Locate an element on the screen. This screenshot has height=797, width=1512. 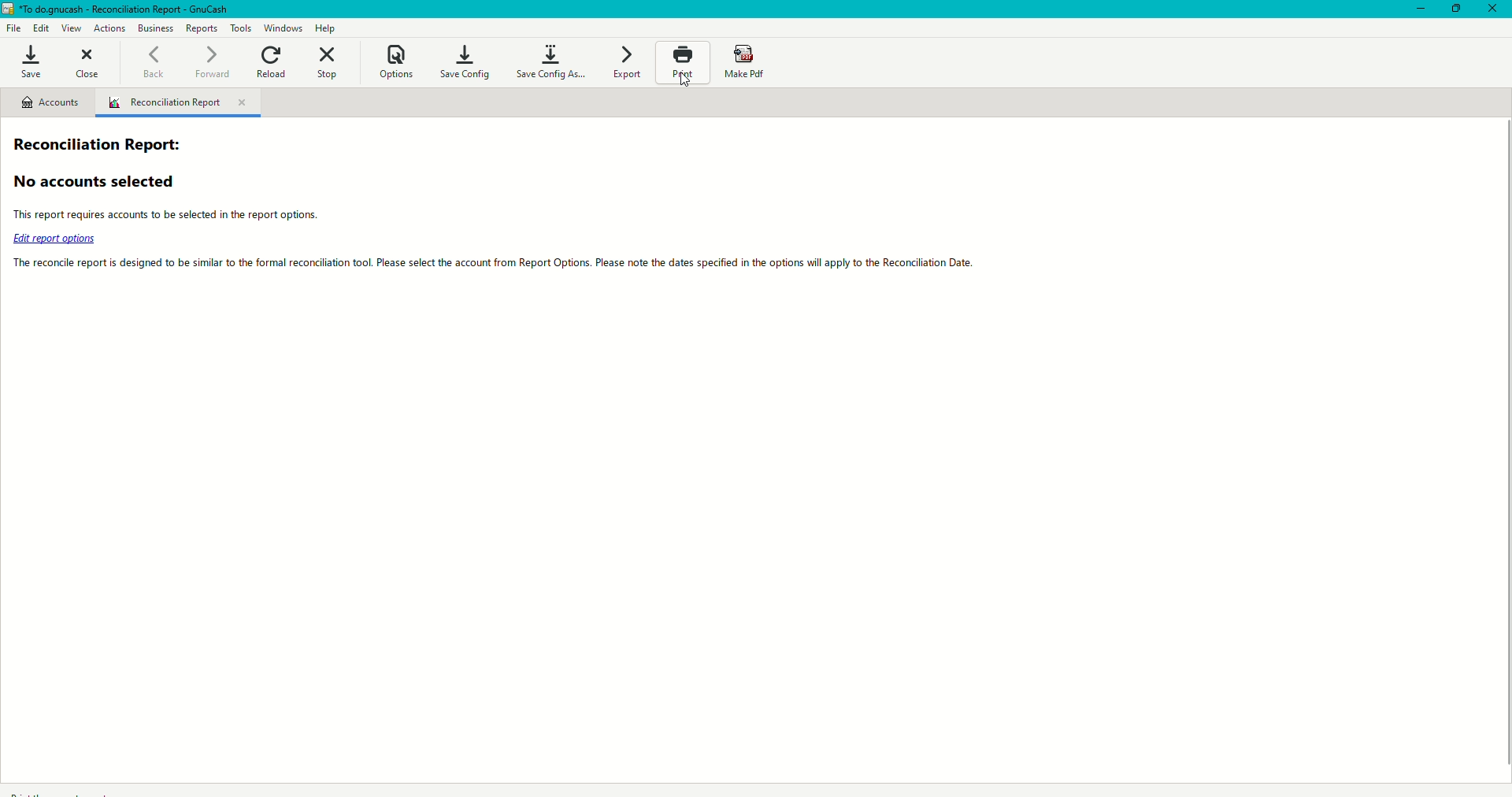
cursor is located at coordinates (686, 87).